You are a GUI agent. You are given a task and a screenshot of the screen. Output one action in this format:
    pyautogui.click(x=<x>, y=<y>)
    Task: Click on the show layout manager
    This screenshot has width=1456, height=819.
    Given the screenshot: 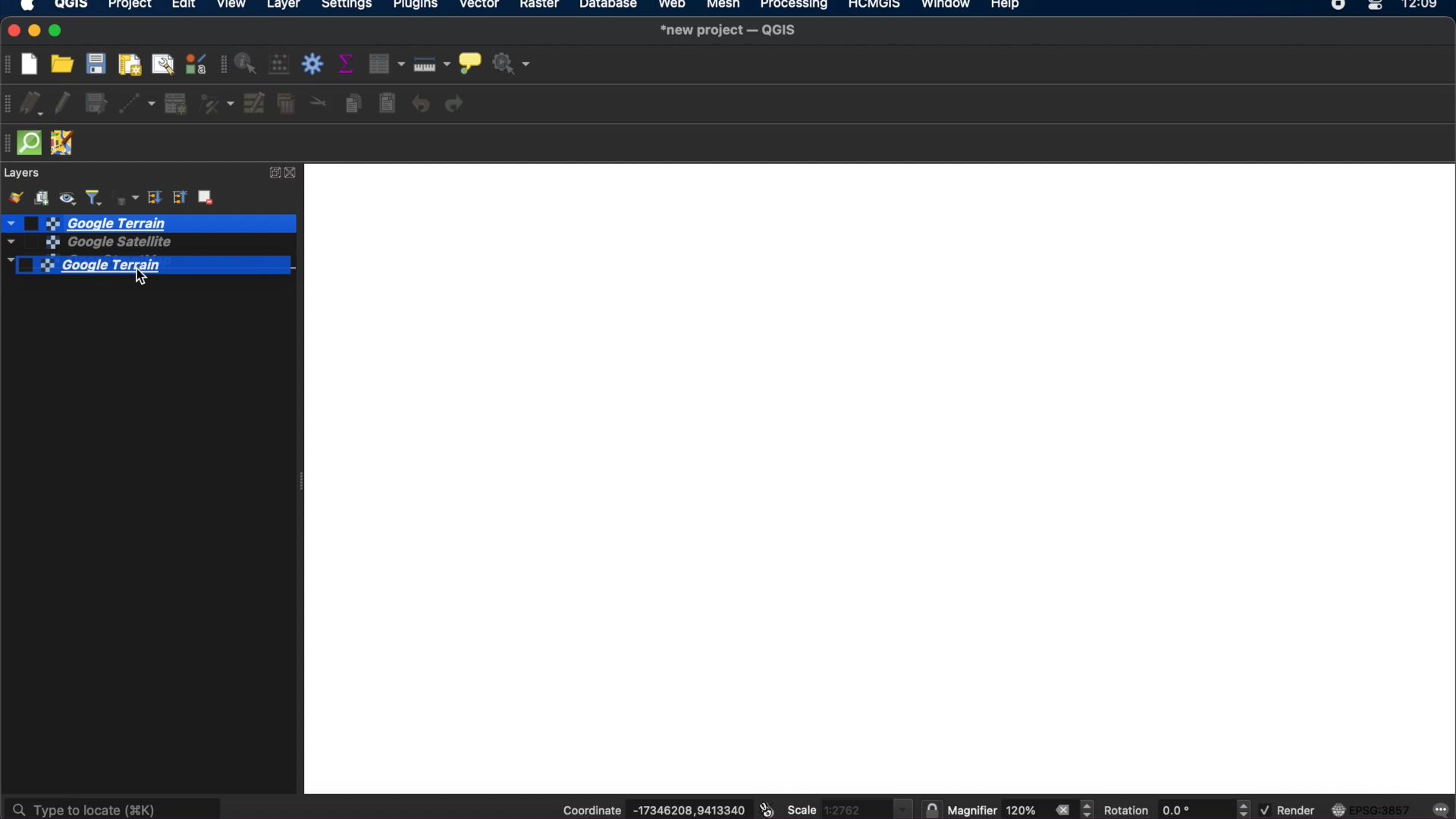 What is the action you would take?
    pyautogui.click(x=165, y=64)
    